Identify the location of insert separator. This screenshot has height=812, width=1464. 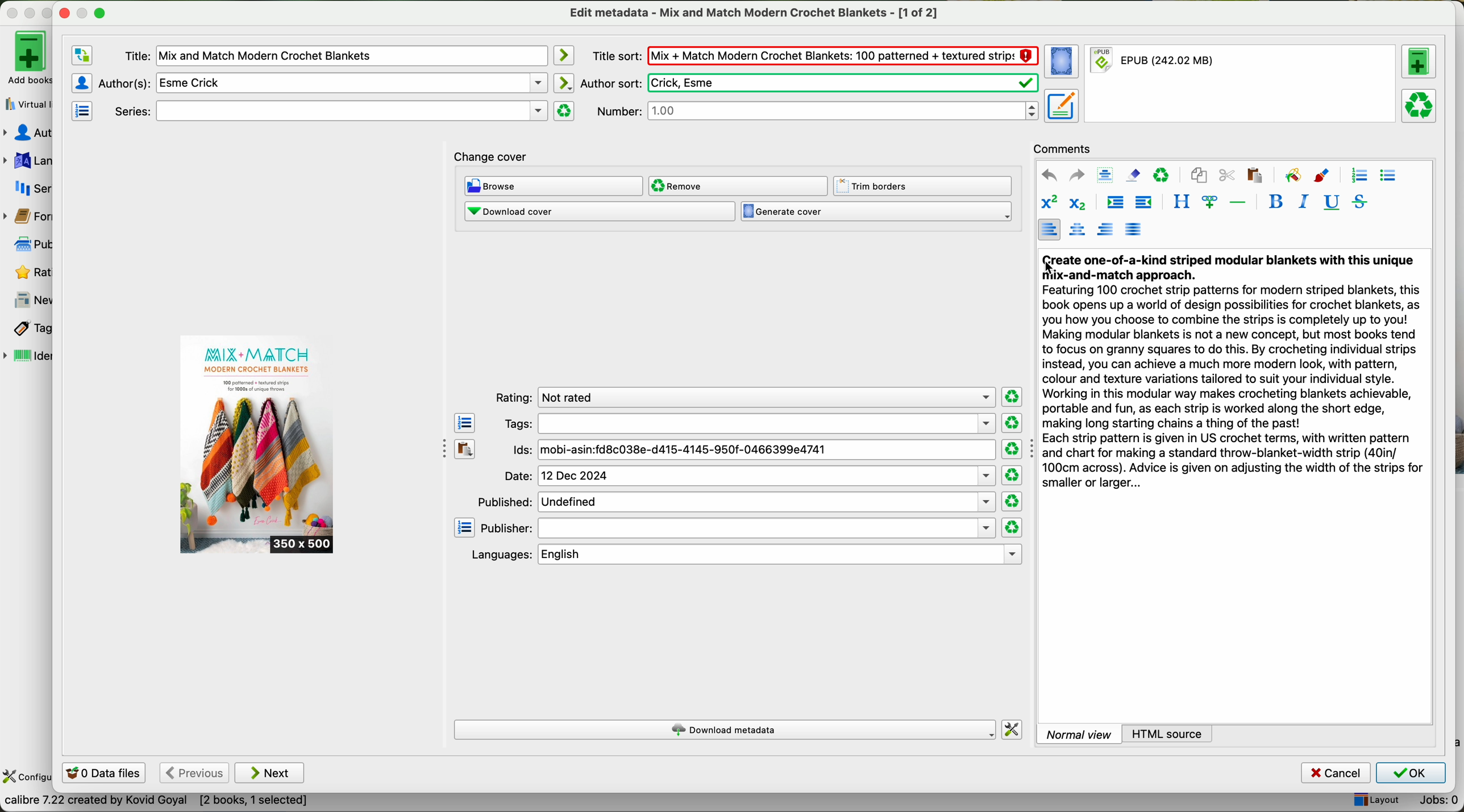
(1239, 201).